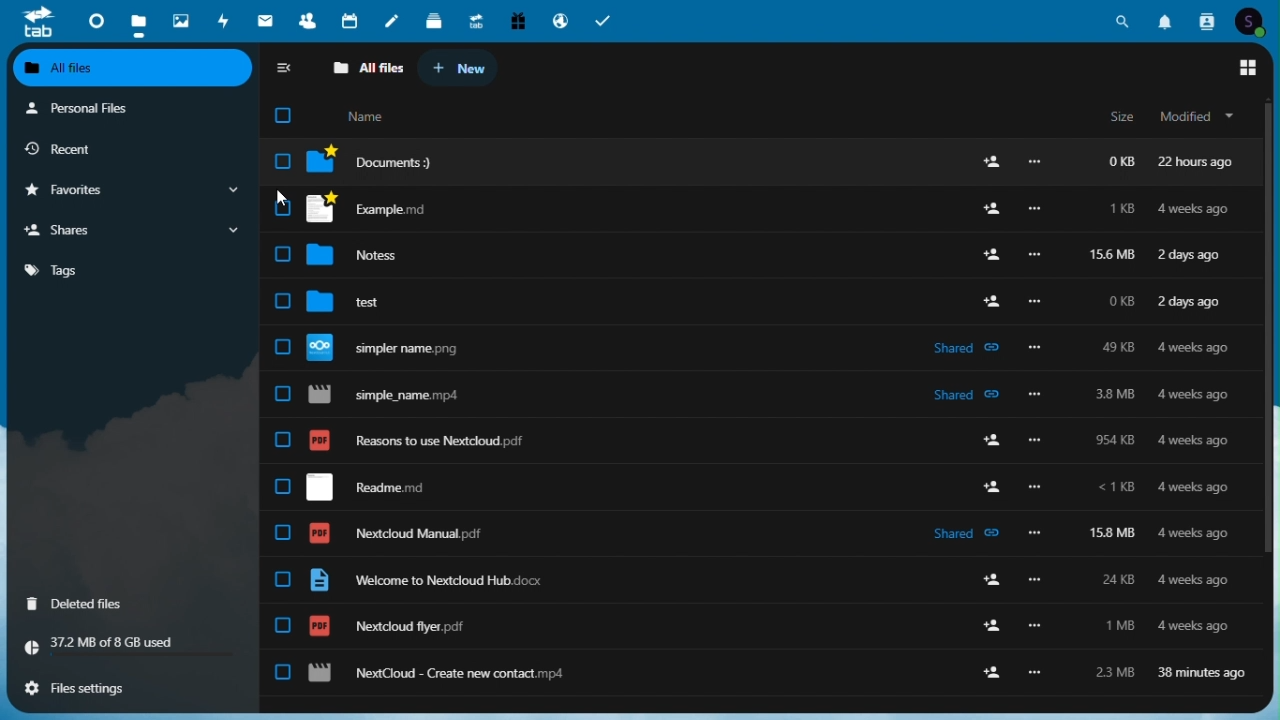  I want to click on personal files, so click(133, 107).